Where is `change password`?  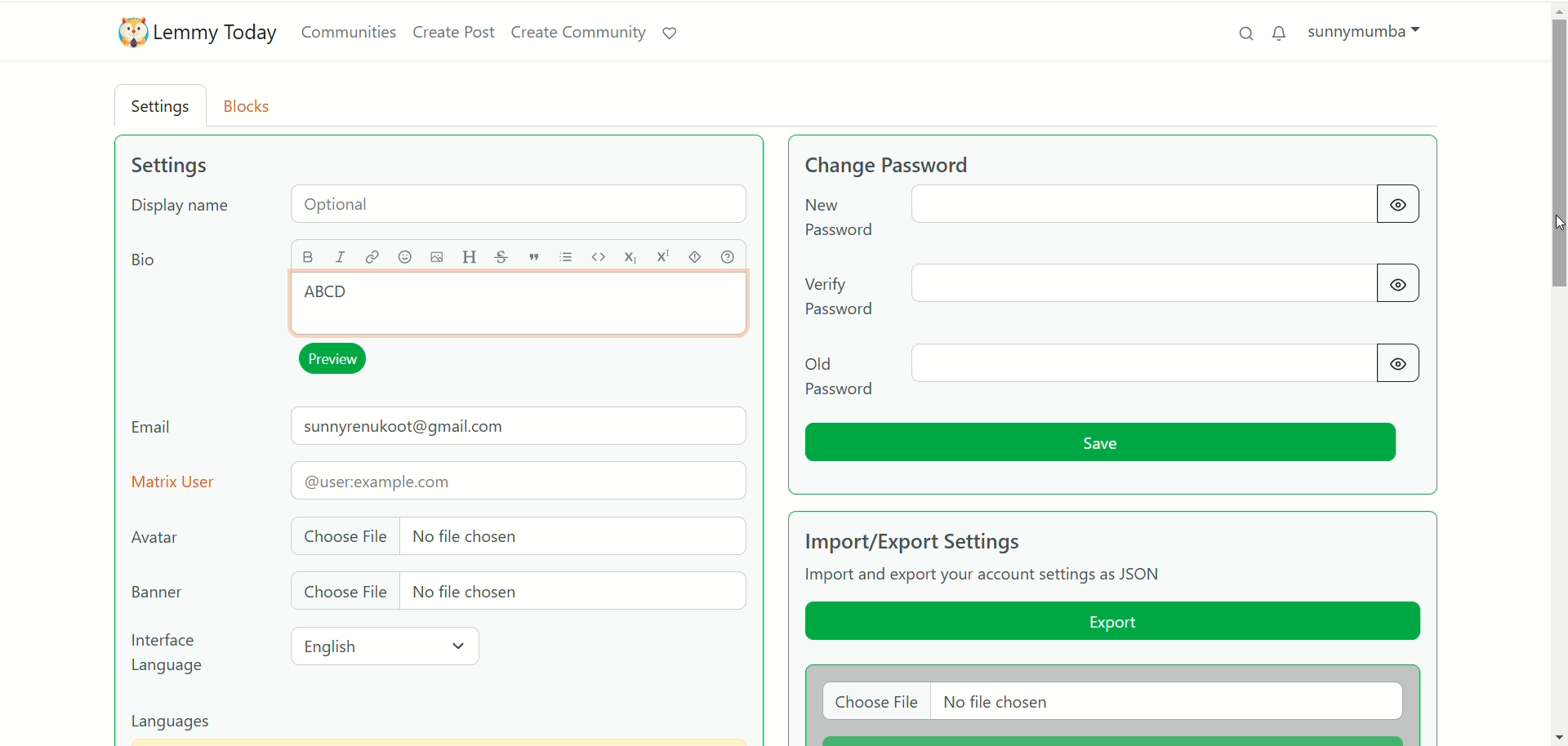 change password is located at coordinates (1106, 215).